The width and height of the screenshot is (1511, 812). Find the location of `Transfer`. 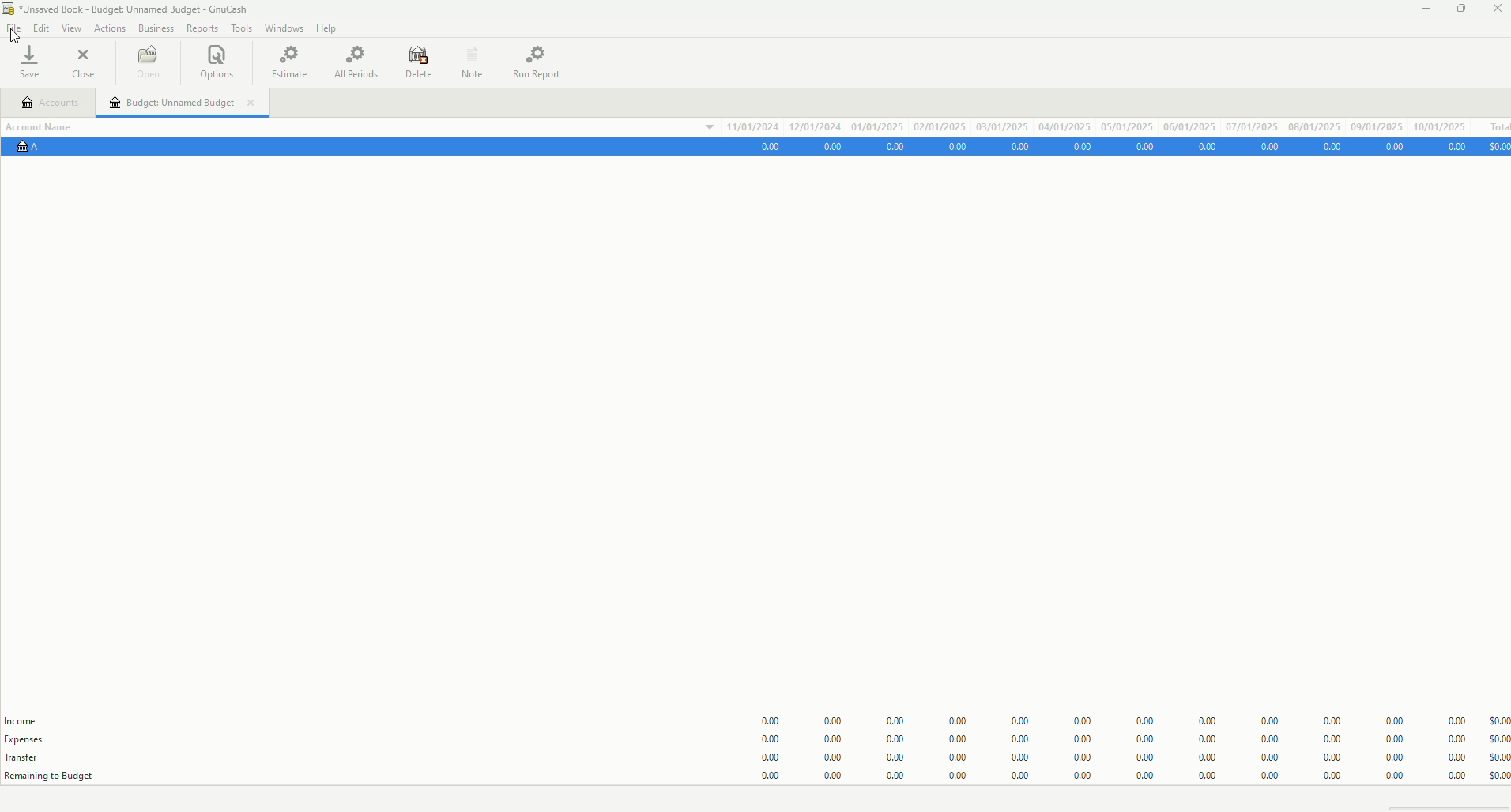

Transfer is located at coordinates (24, 757).